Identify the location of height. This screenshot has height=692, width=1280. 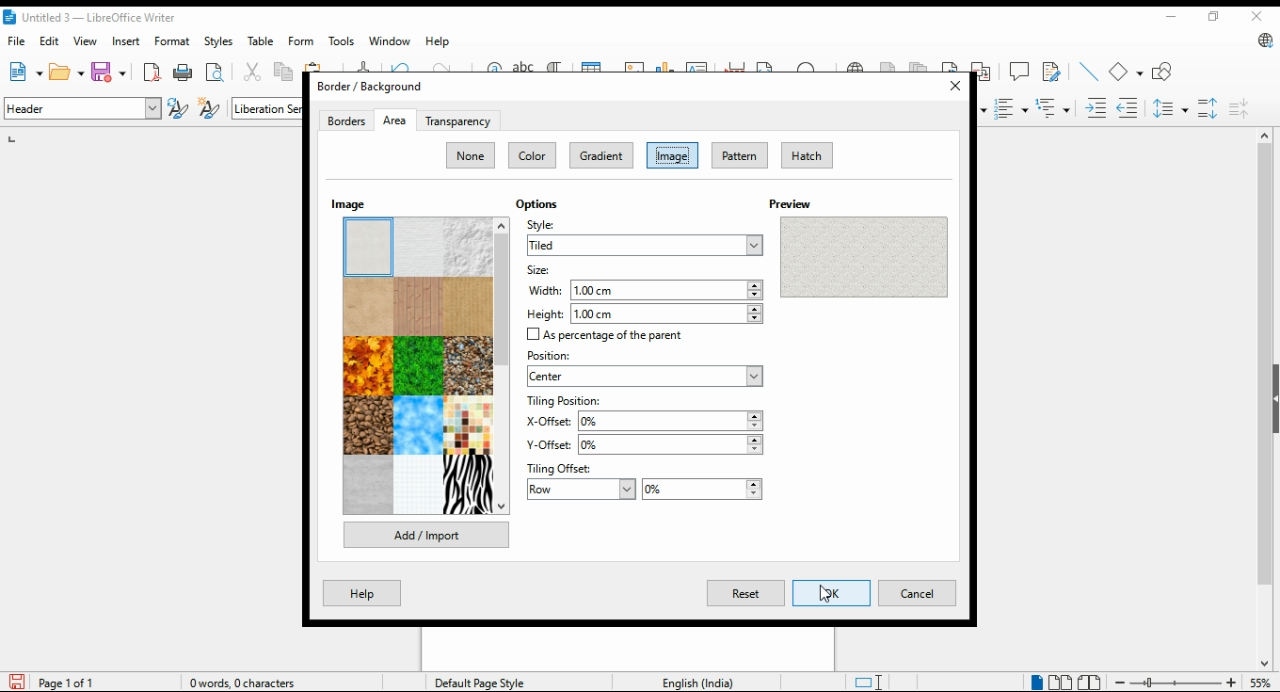
(647, 314).